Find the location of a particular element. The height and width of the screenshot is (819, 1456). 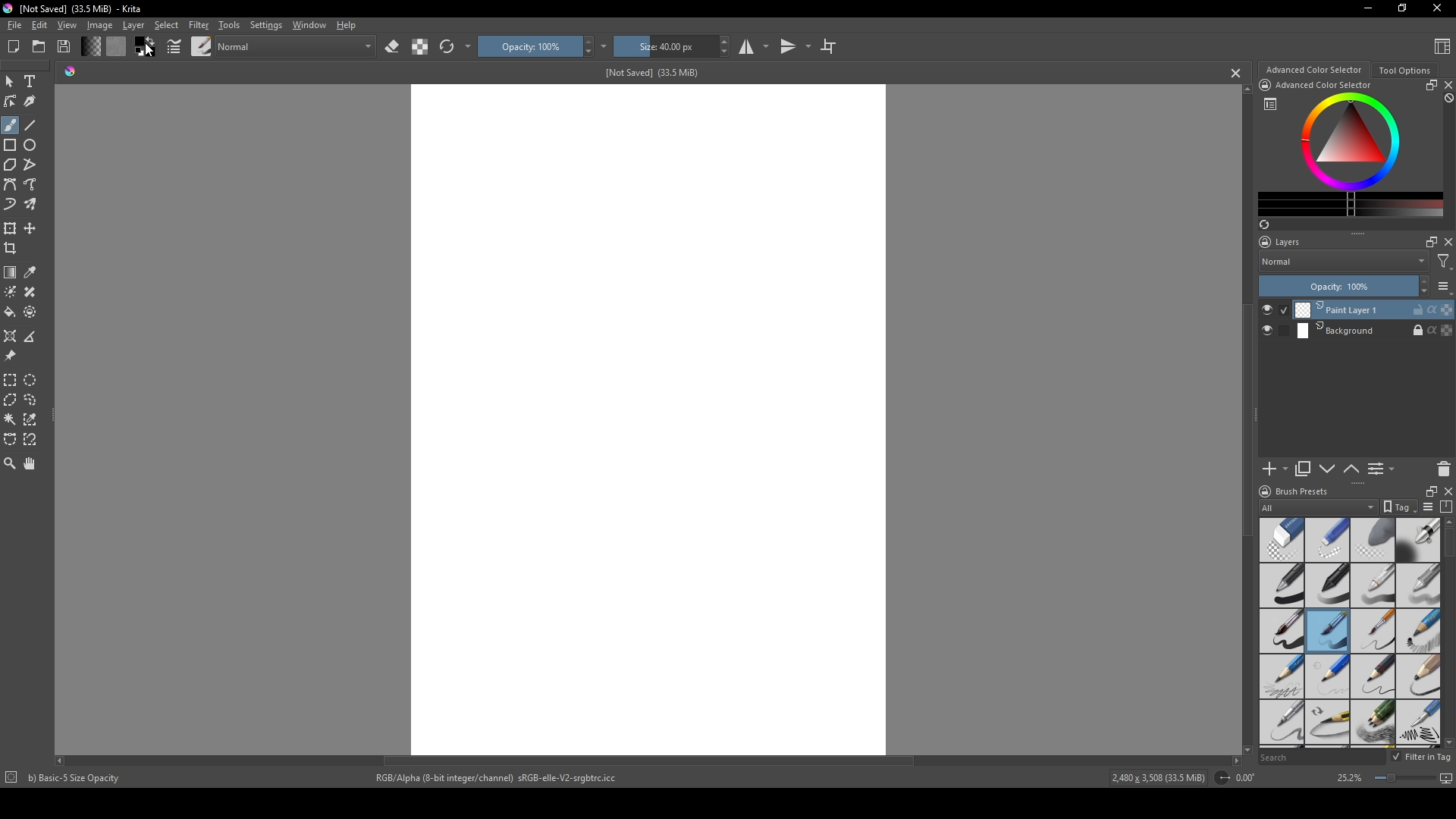

bucket fill is located at coordinates (11, 312).